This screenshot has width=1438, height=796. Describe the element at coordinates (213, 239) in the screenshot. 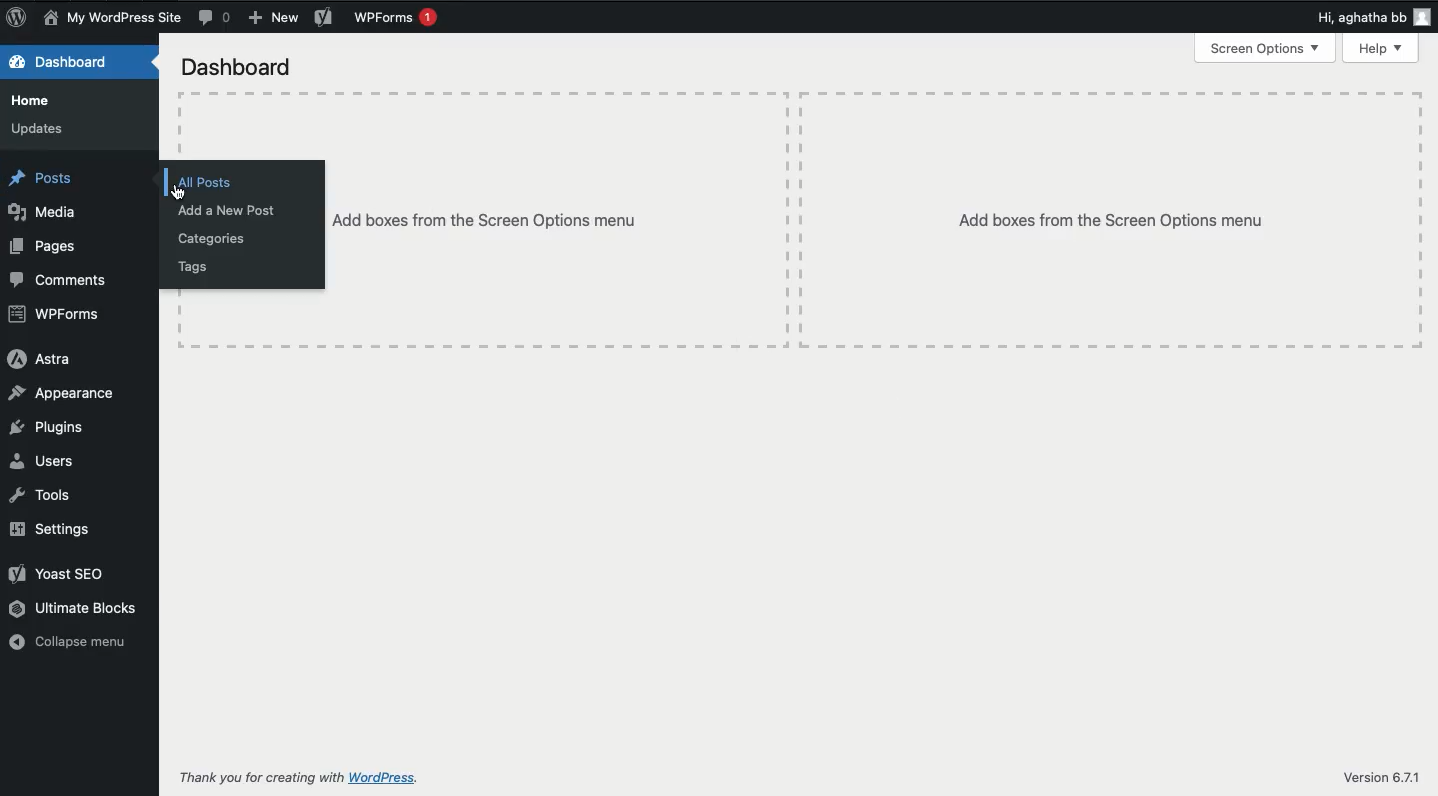

I see `Categories` at that location.